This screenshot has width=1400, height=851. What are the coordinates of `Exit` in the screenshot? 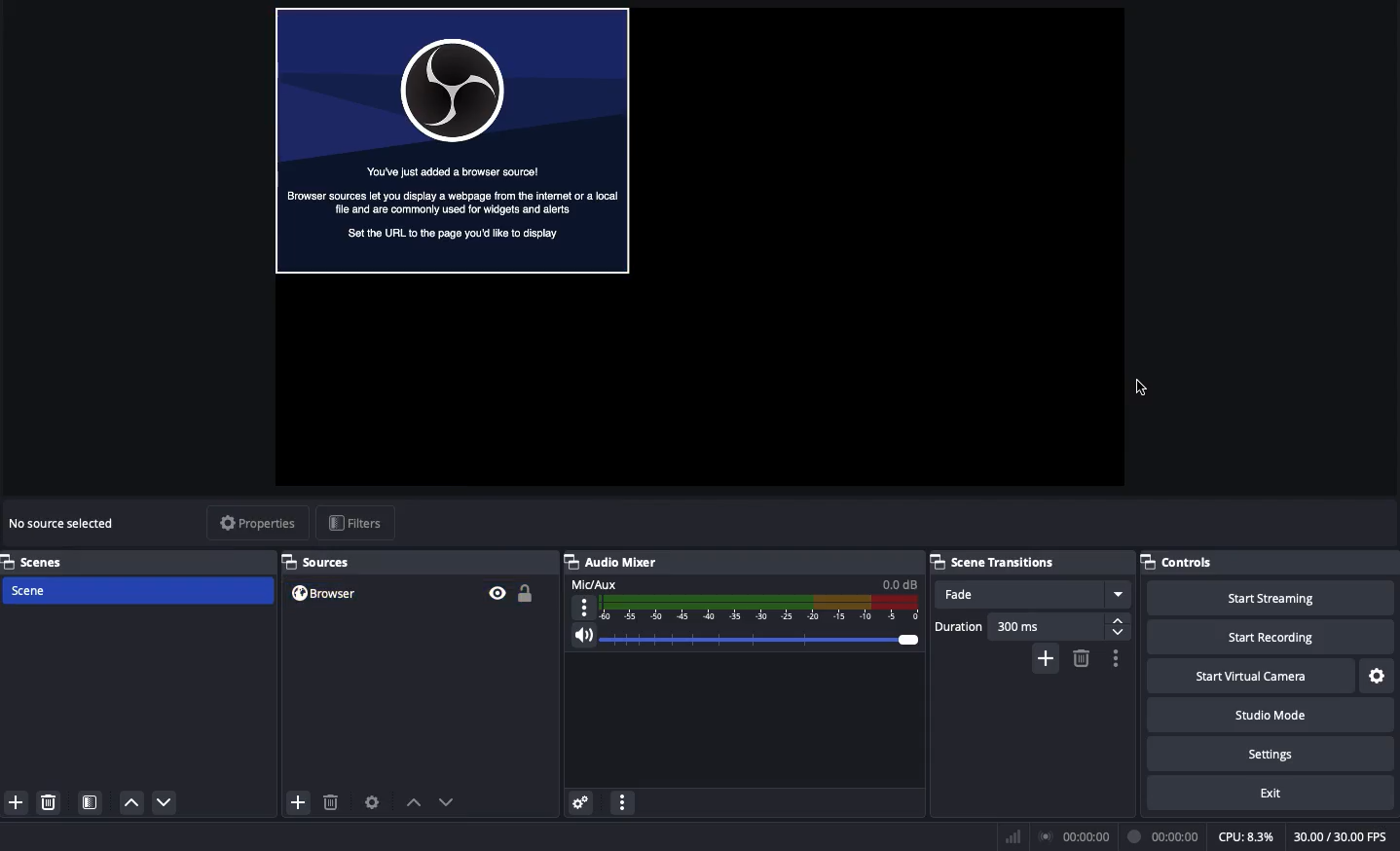 It's located at (1270, 794).